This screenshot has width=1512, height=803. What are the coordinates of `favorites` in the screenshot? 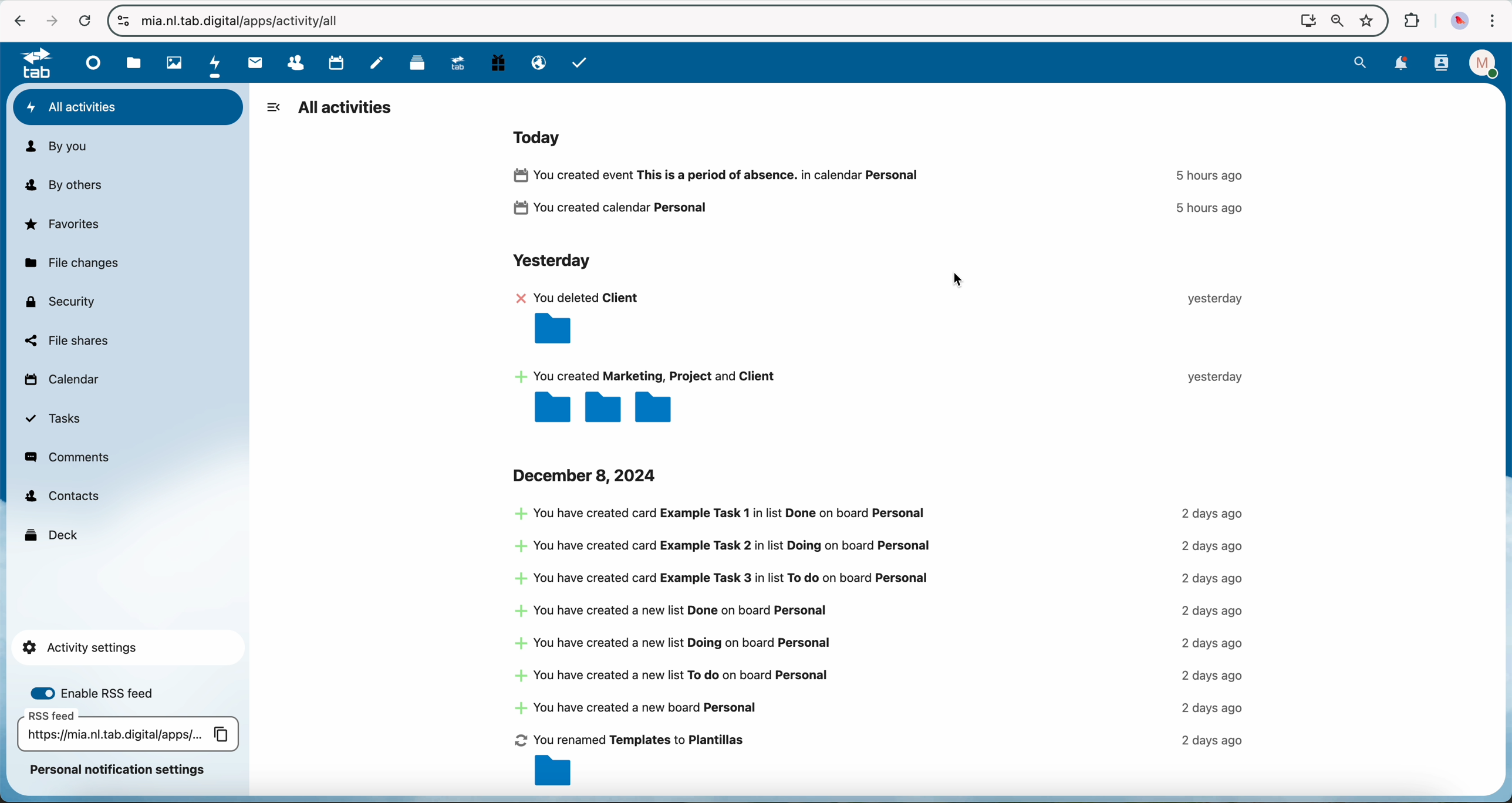 It's located at (64, 224).